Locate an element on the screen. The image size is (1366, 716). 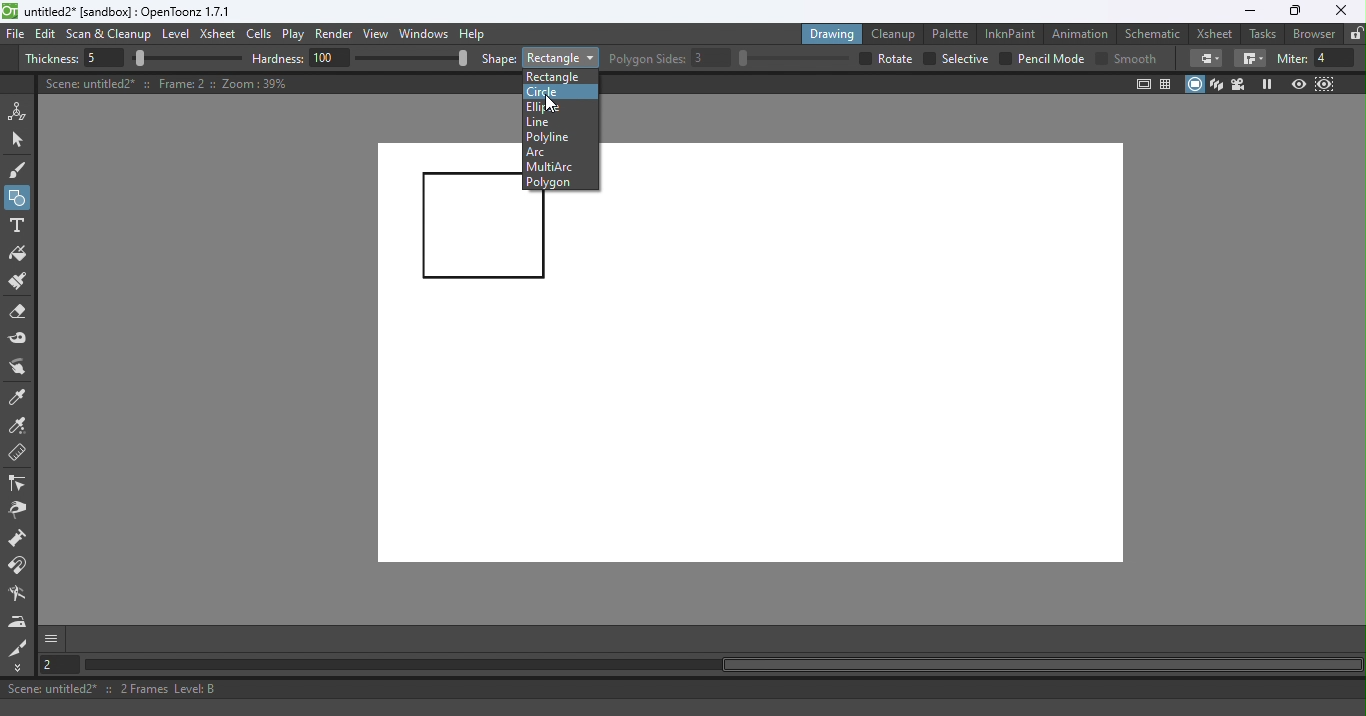
Status bar is located at coordinates (683, 689).